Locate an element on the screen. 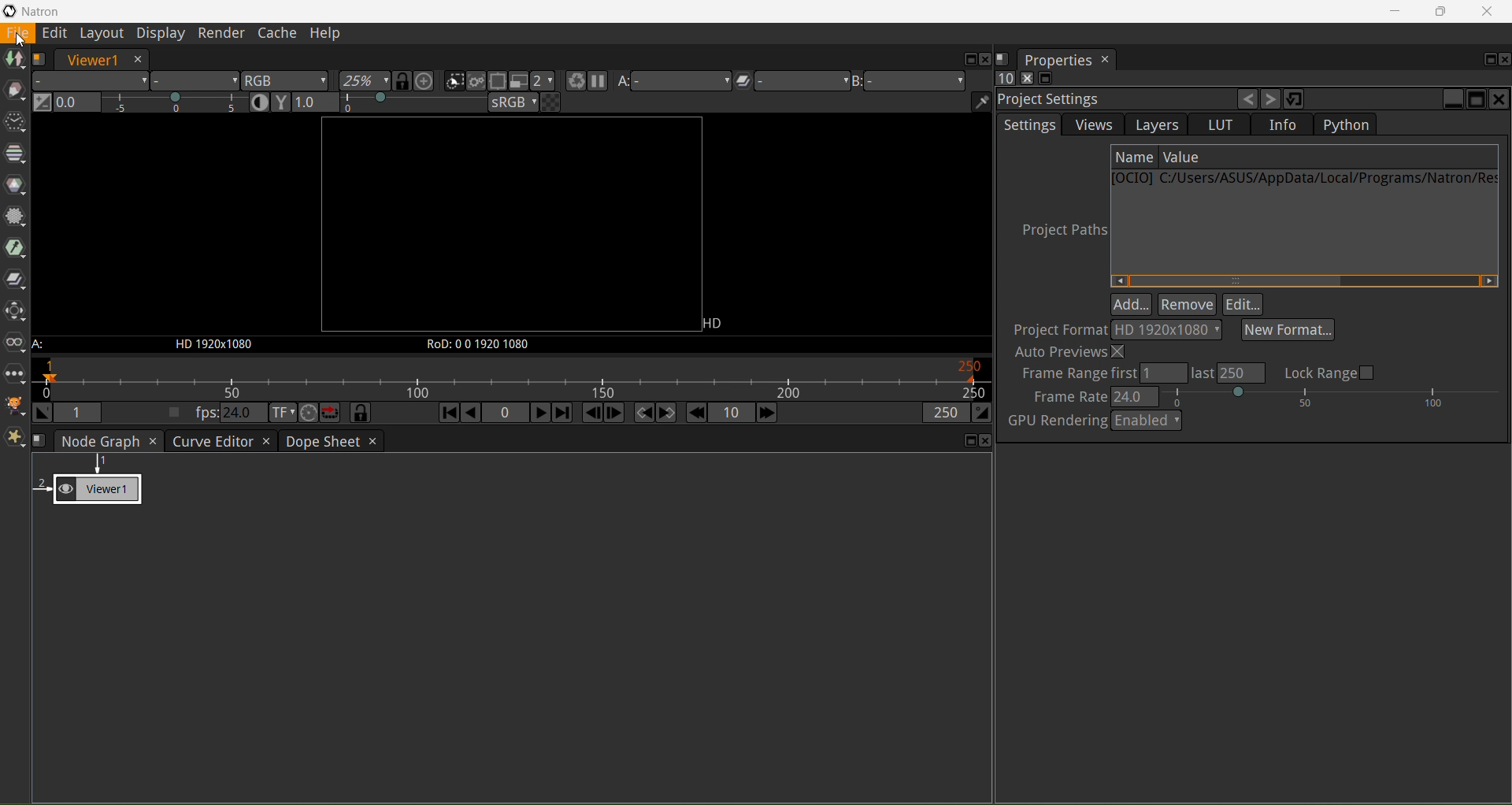  Float Pane is located at coordinates (1484, 60).